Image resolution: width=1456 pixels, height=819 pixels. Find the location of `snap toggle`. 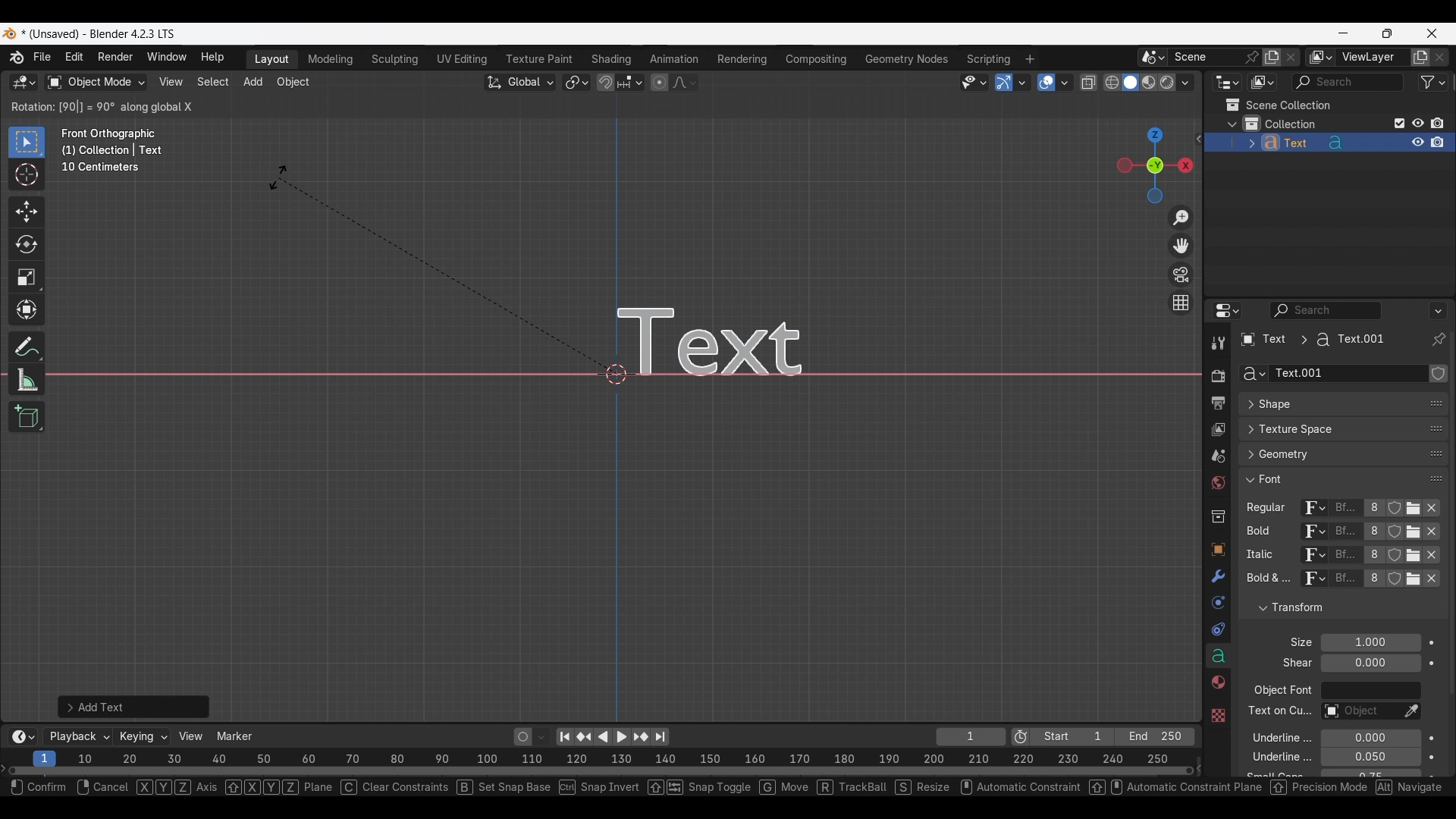

snap toggle is located at coordinates (698, 789).